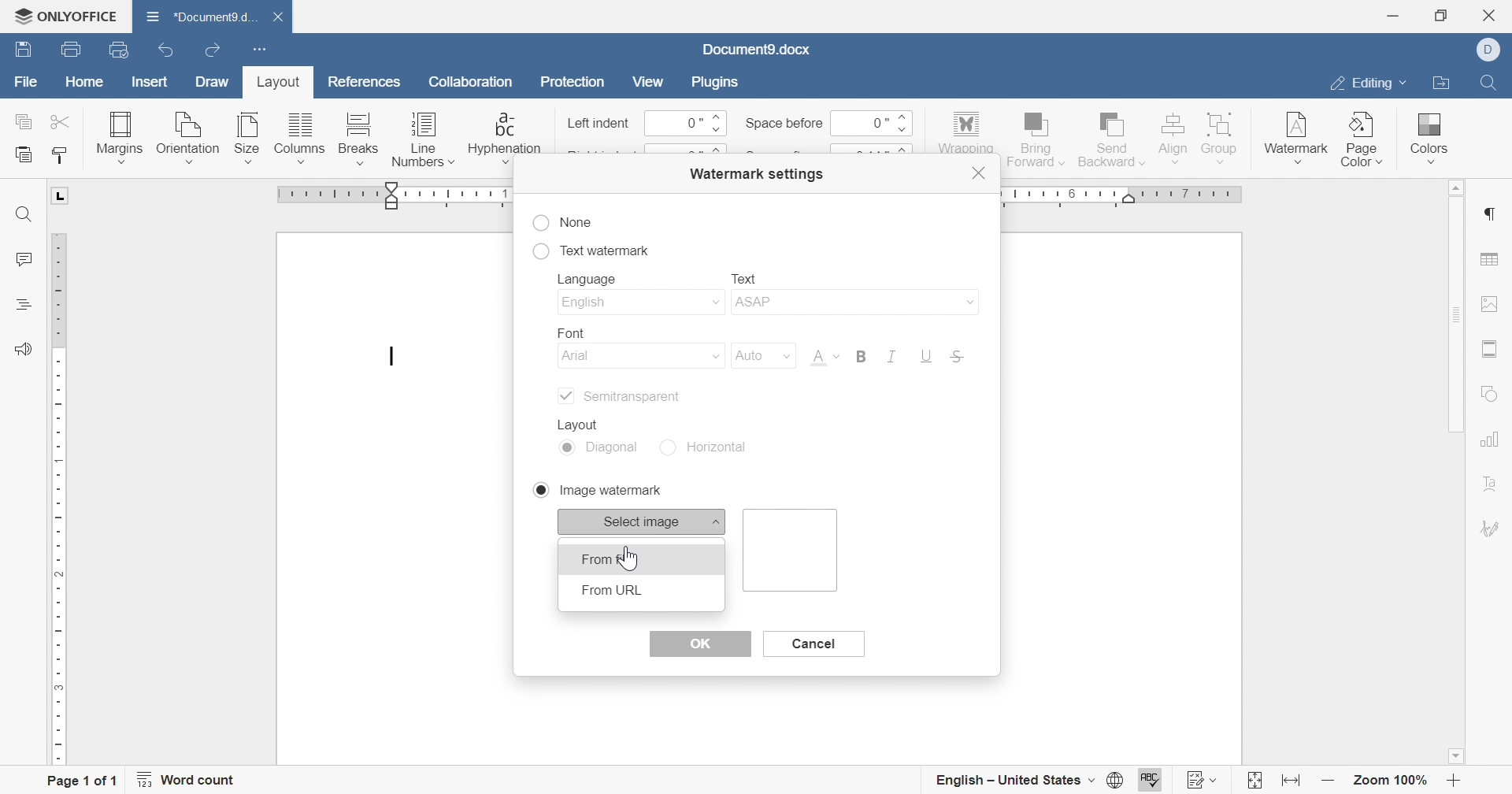 This screenshot has width=1512, height=794. Describe the element at coordinates (395, 359) in the screenshot. I see `cursor` at that location.